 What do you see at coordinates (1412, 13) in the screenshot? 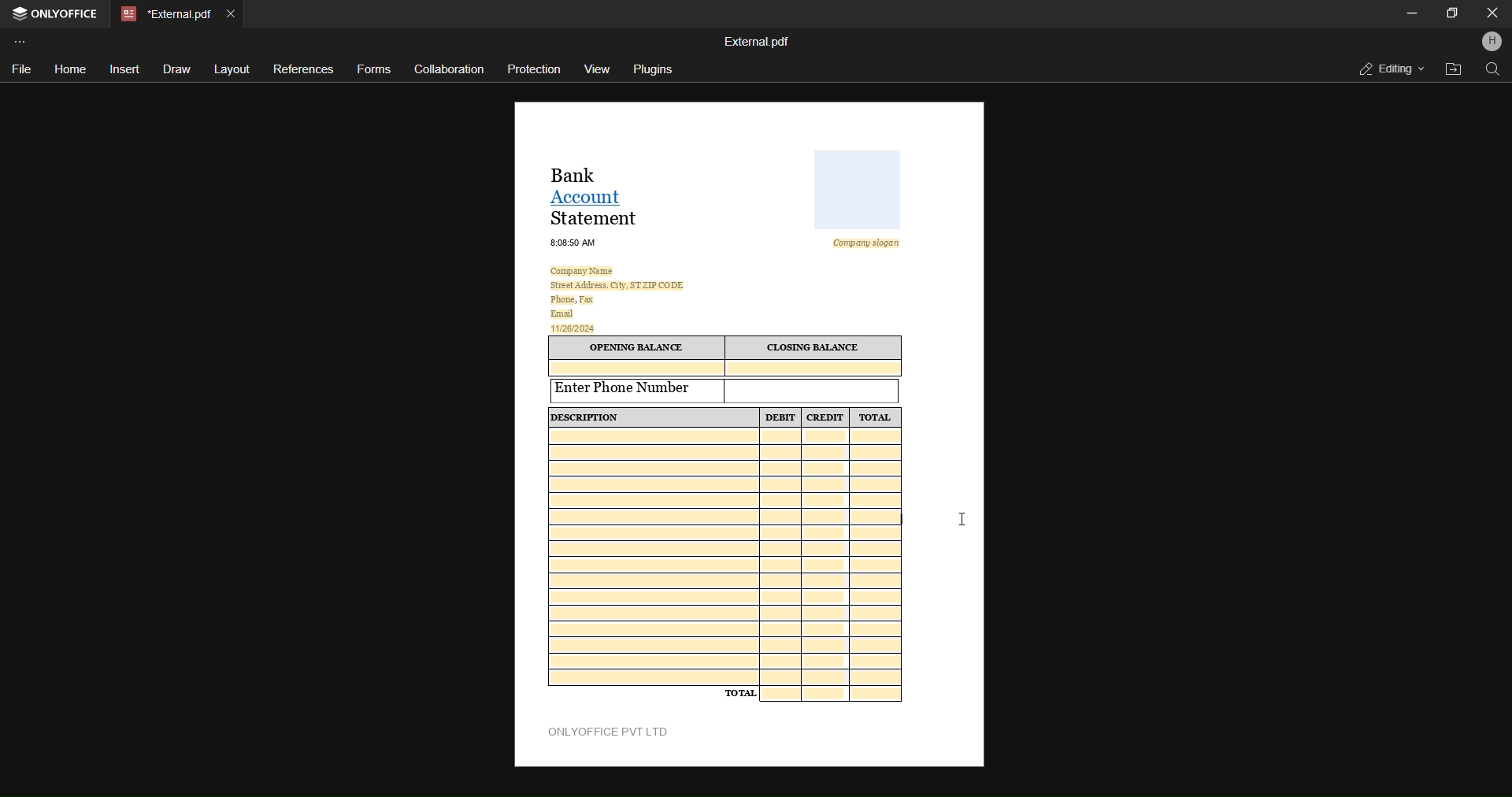
I see `minimize` at bounding box center [1412, 13].